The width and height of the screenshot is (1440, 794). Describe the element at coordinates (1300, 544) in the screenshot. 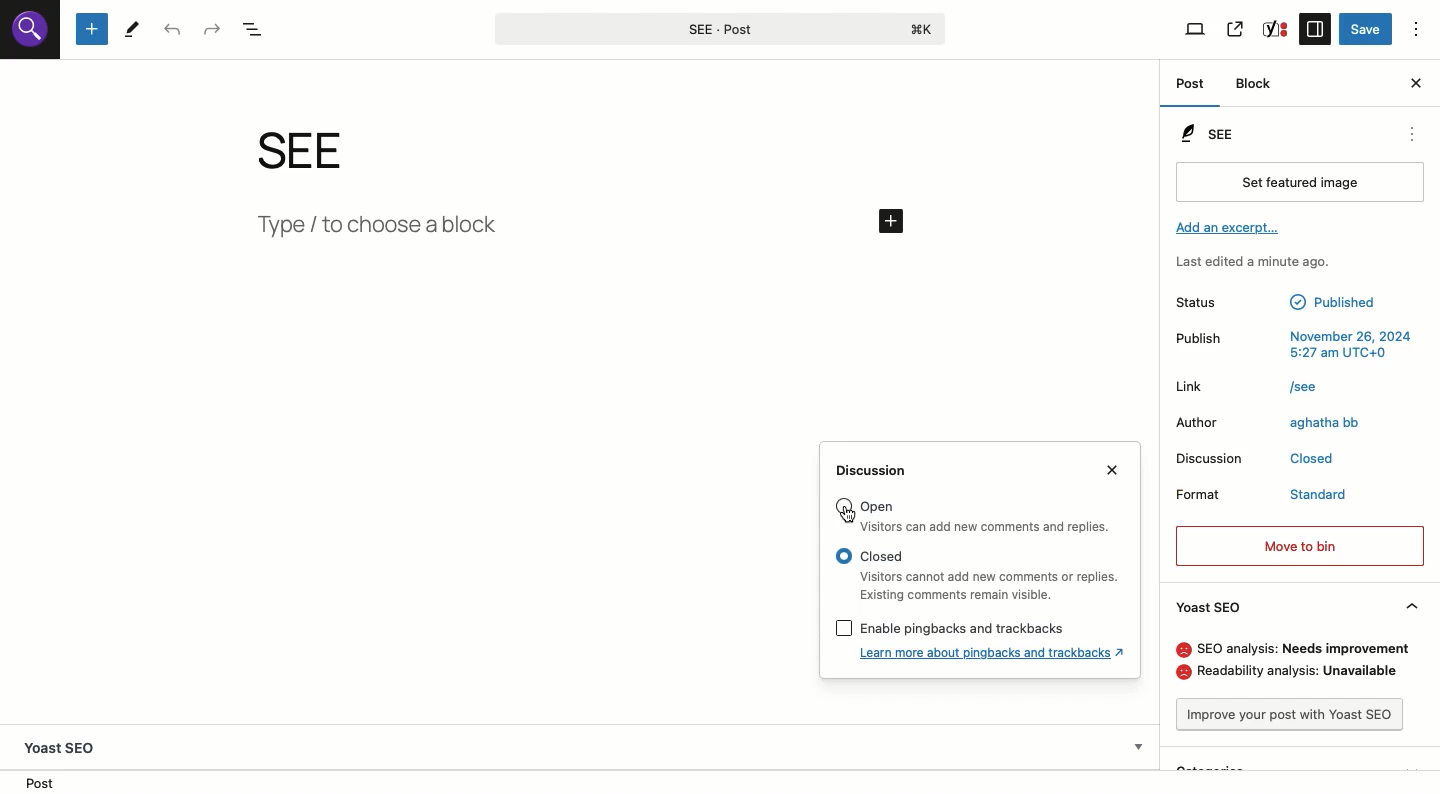

I see `Move to bin` at that location.